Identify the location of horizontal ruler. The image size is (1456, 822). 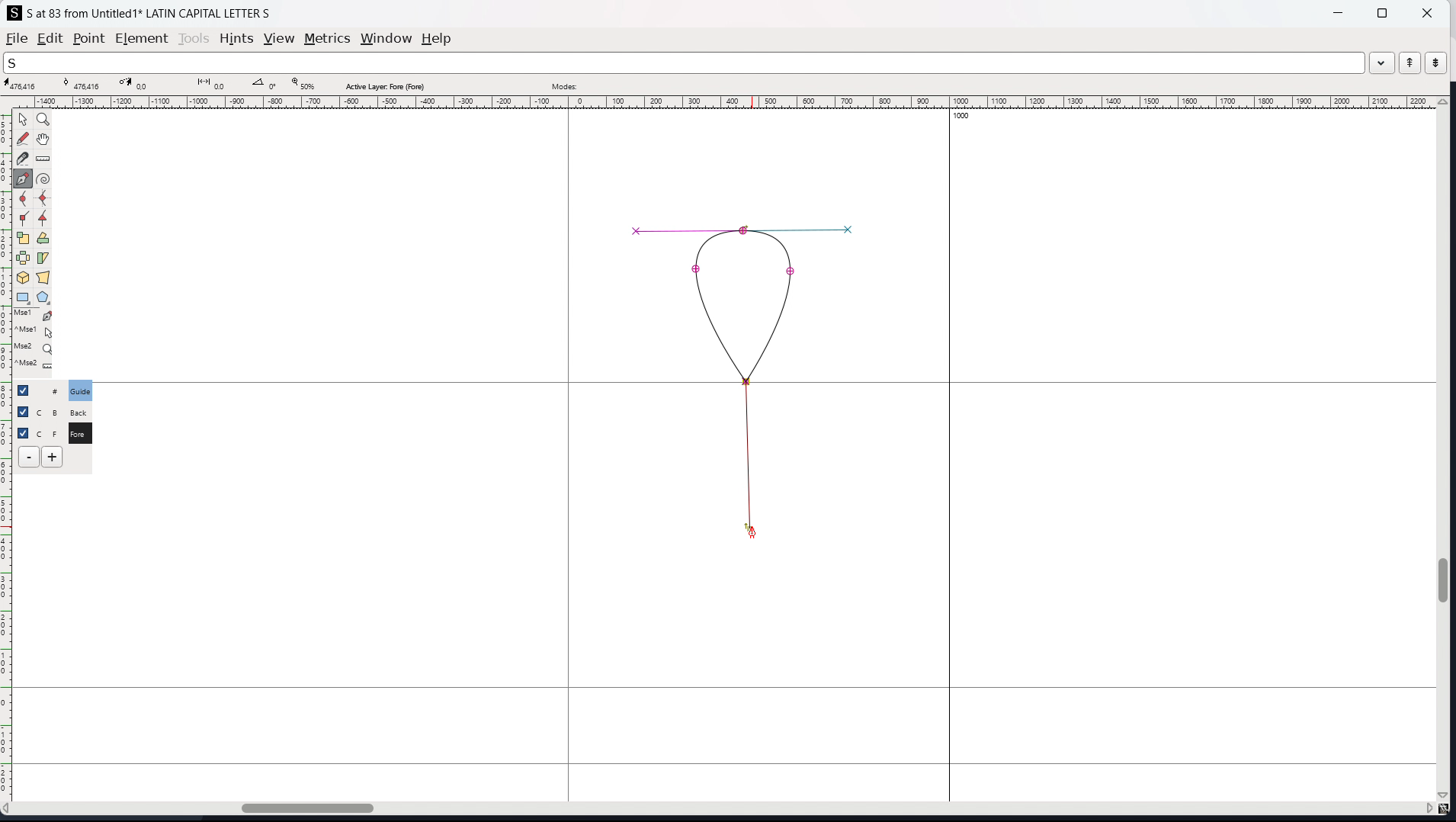
(720, 102).